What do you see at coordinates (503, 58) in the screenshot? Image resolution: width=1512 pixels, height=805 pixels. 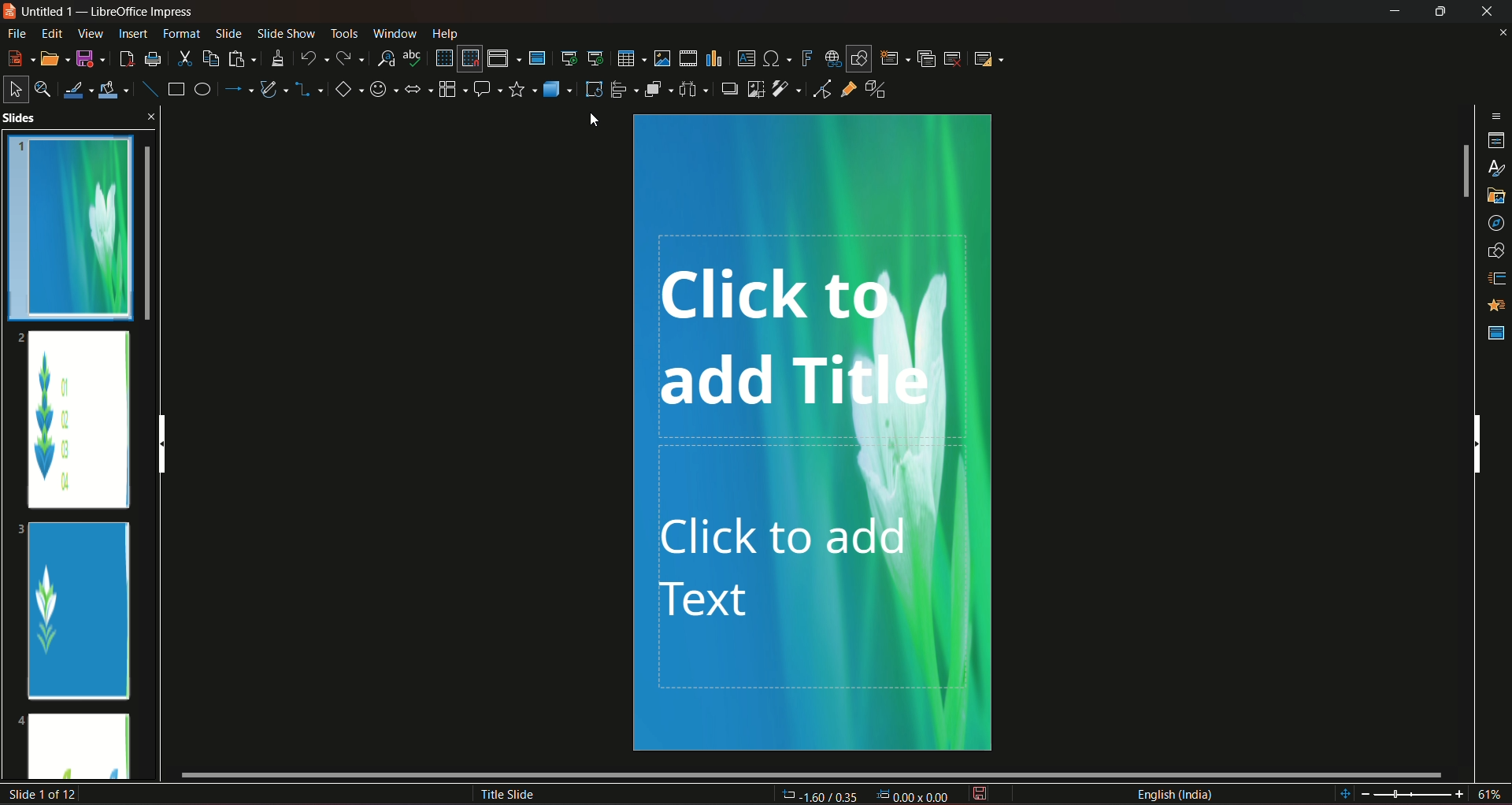 I see `display views` at bounding box center [503, 58].